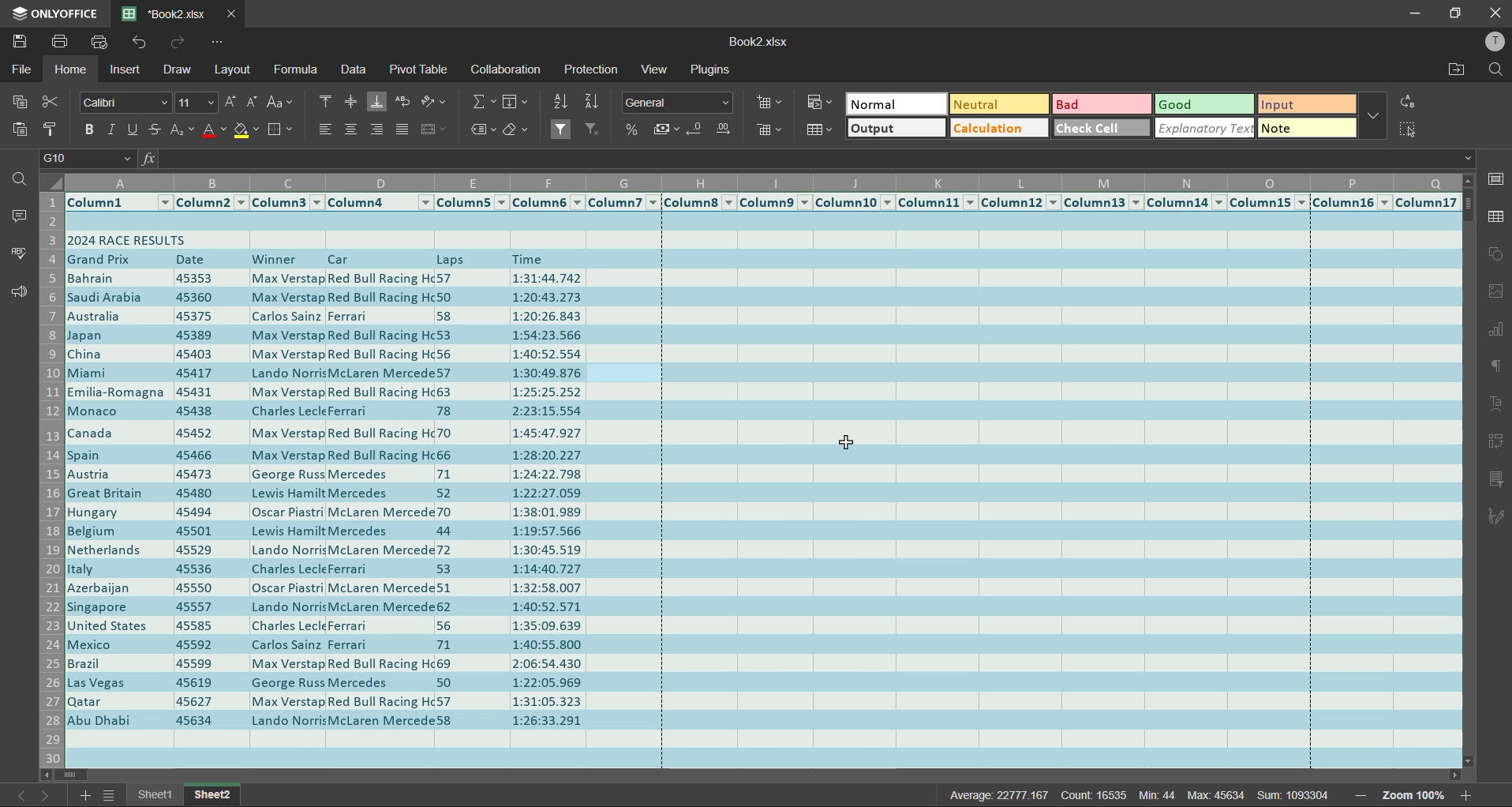 This screenshot has height=807, width=1512. What do you see at coordinates (378, 130) in the screenshot?
I see `align right` at bounding box center [378, 130].